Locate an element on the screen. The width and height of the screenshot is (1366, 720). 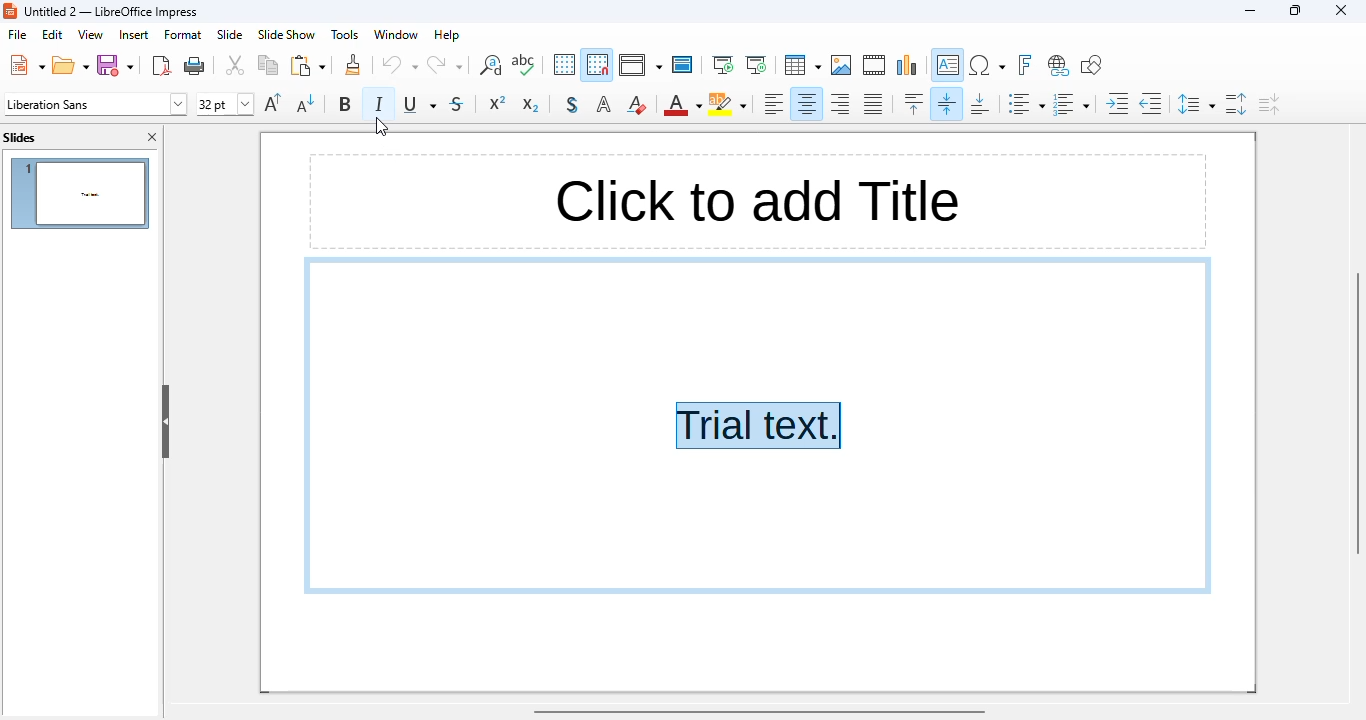
underline is located at coordinates (421, 104).